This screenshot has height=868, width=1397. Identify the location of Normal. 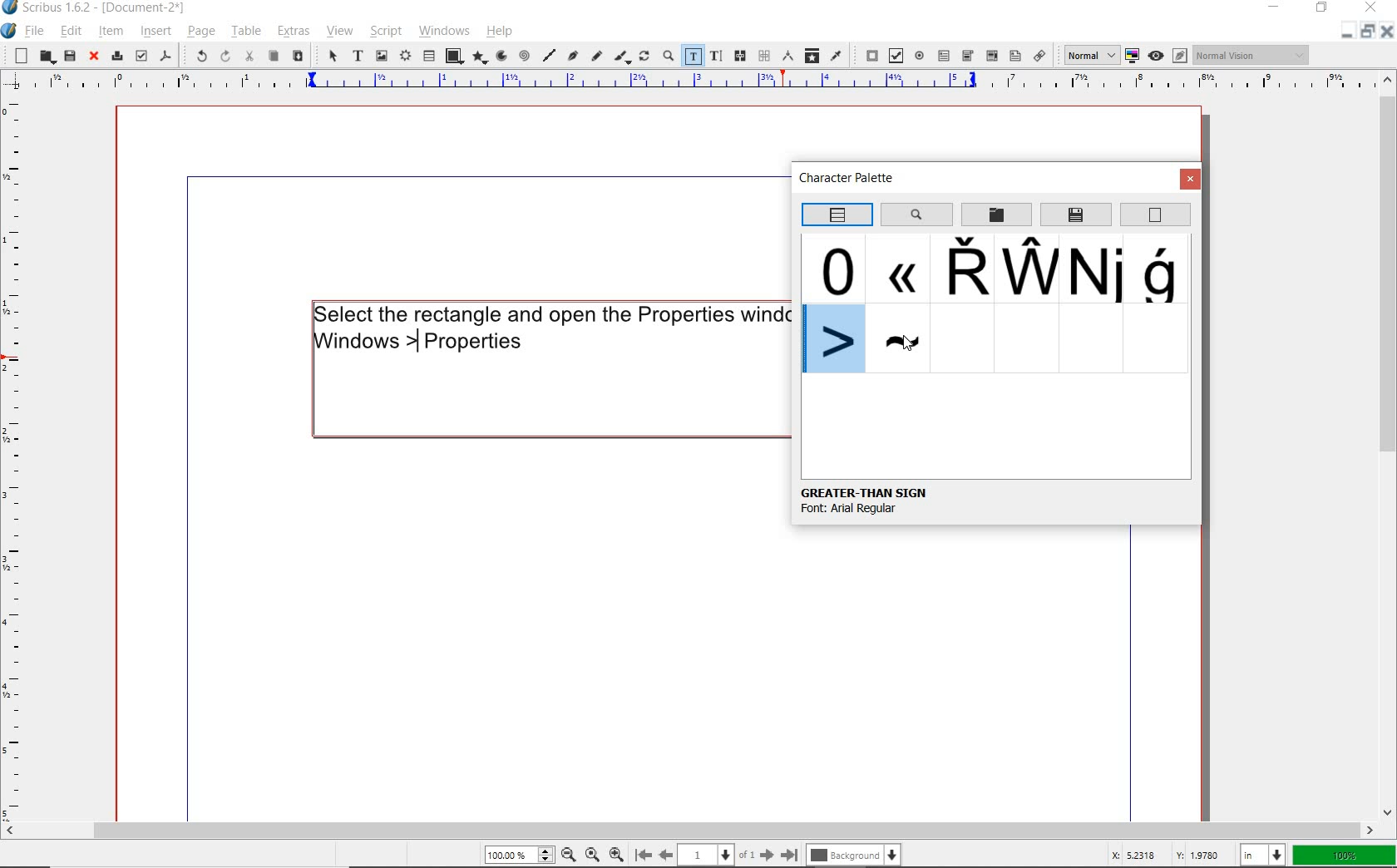
(1086, 54).